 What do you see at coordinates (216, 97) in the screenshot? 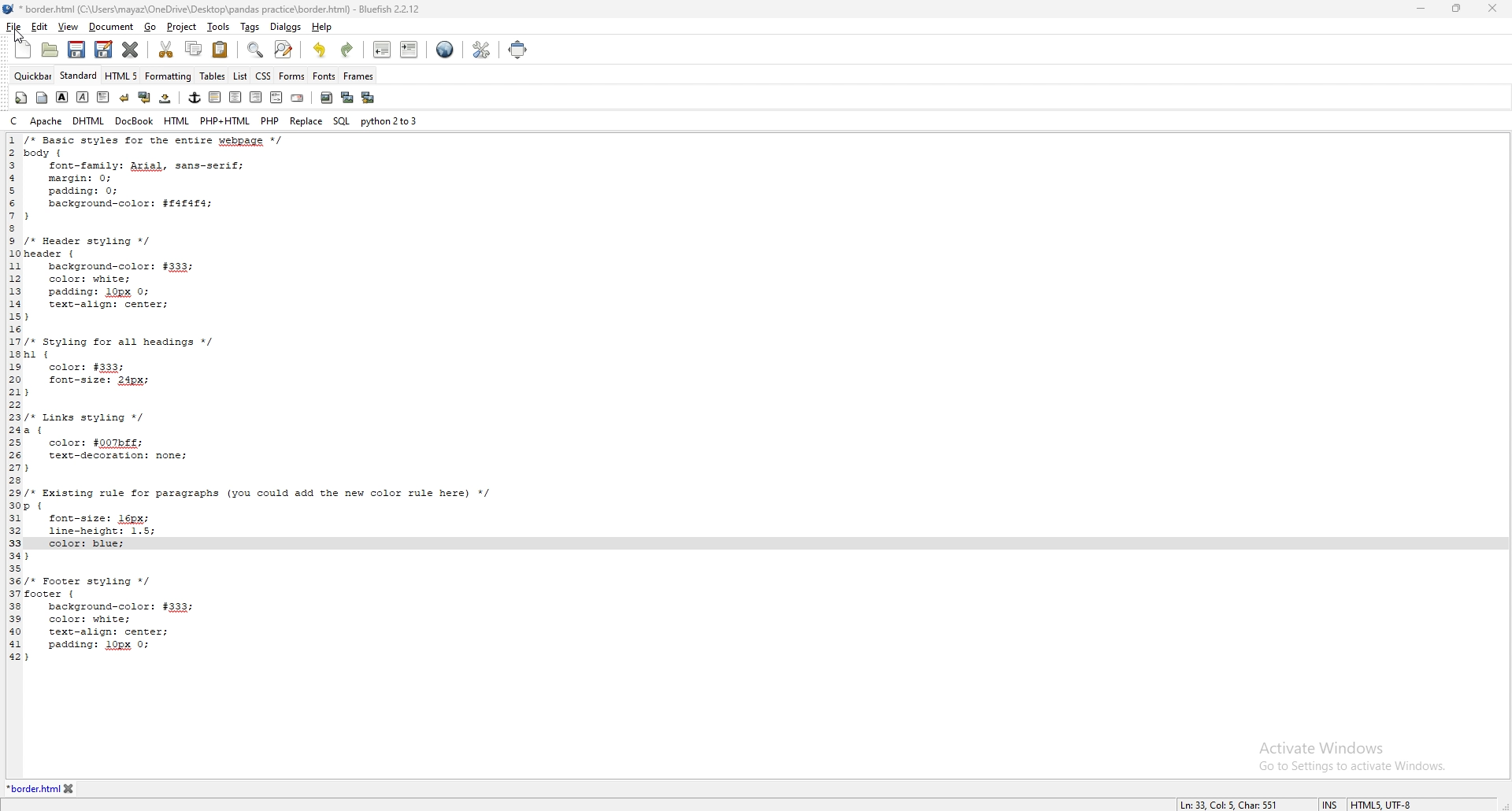
I see `left justify` at bounding box center [216, 97].